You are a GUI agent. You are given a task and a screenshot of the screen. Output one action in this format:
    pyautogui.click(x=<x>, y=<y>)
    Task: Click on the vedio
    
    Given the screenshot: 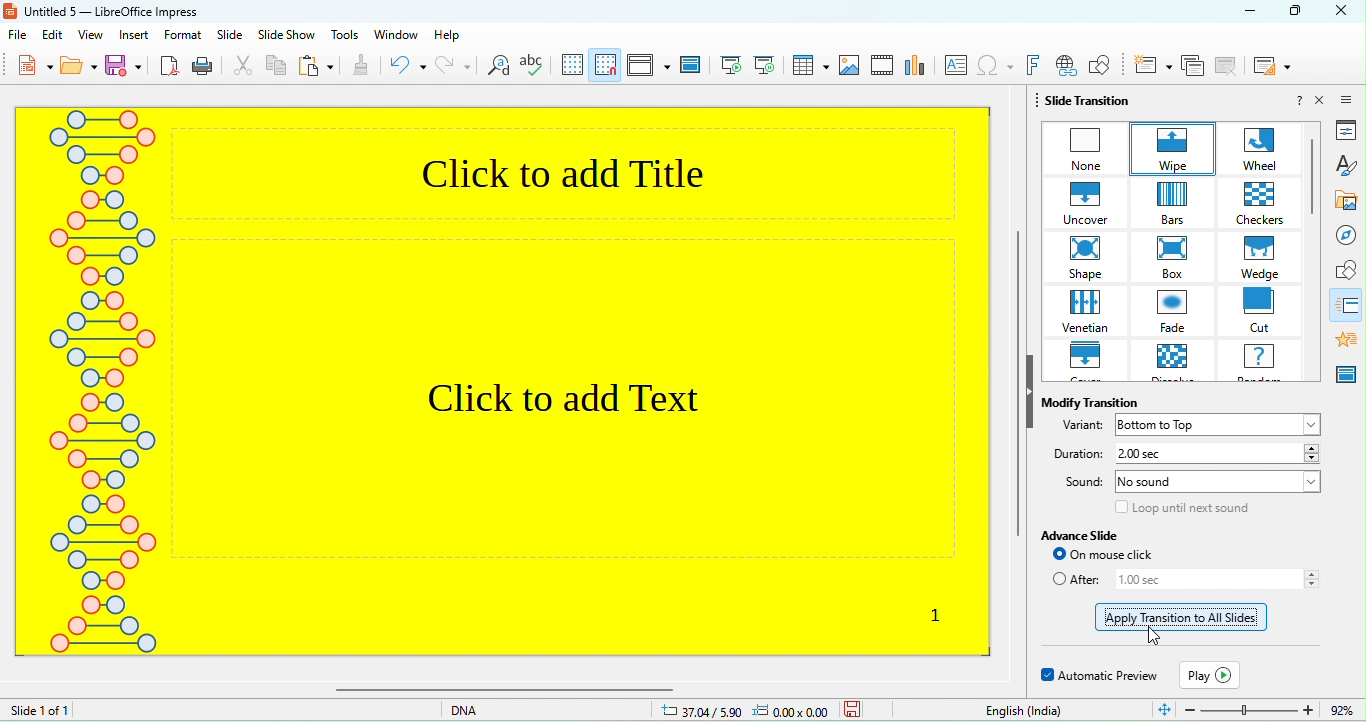 What is the action you would take?
    pyautogui.click(x=882, y=66)
    